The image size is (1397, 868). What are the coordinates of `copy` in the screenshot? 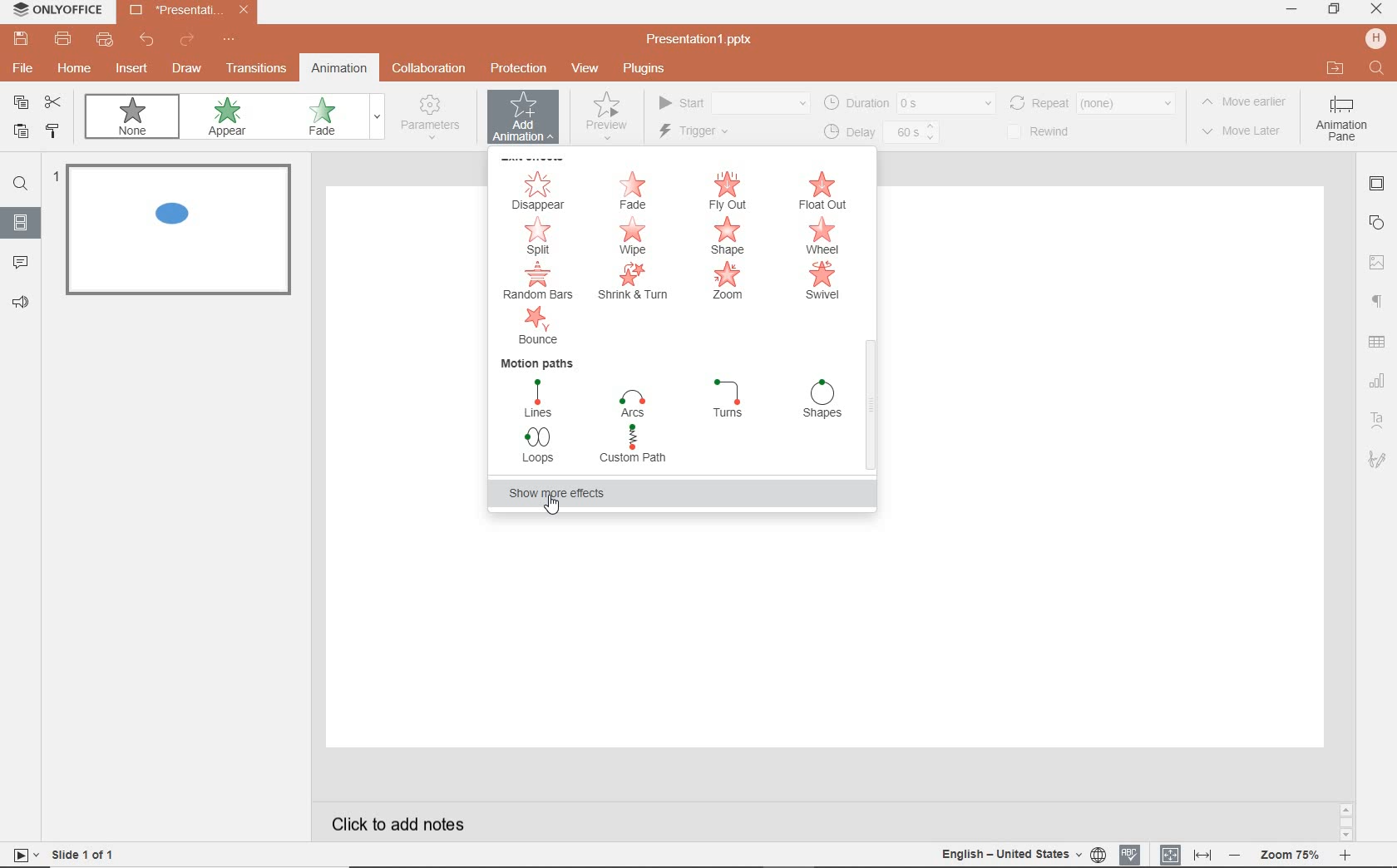 It's located at (22, 102).